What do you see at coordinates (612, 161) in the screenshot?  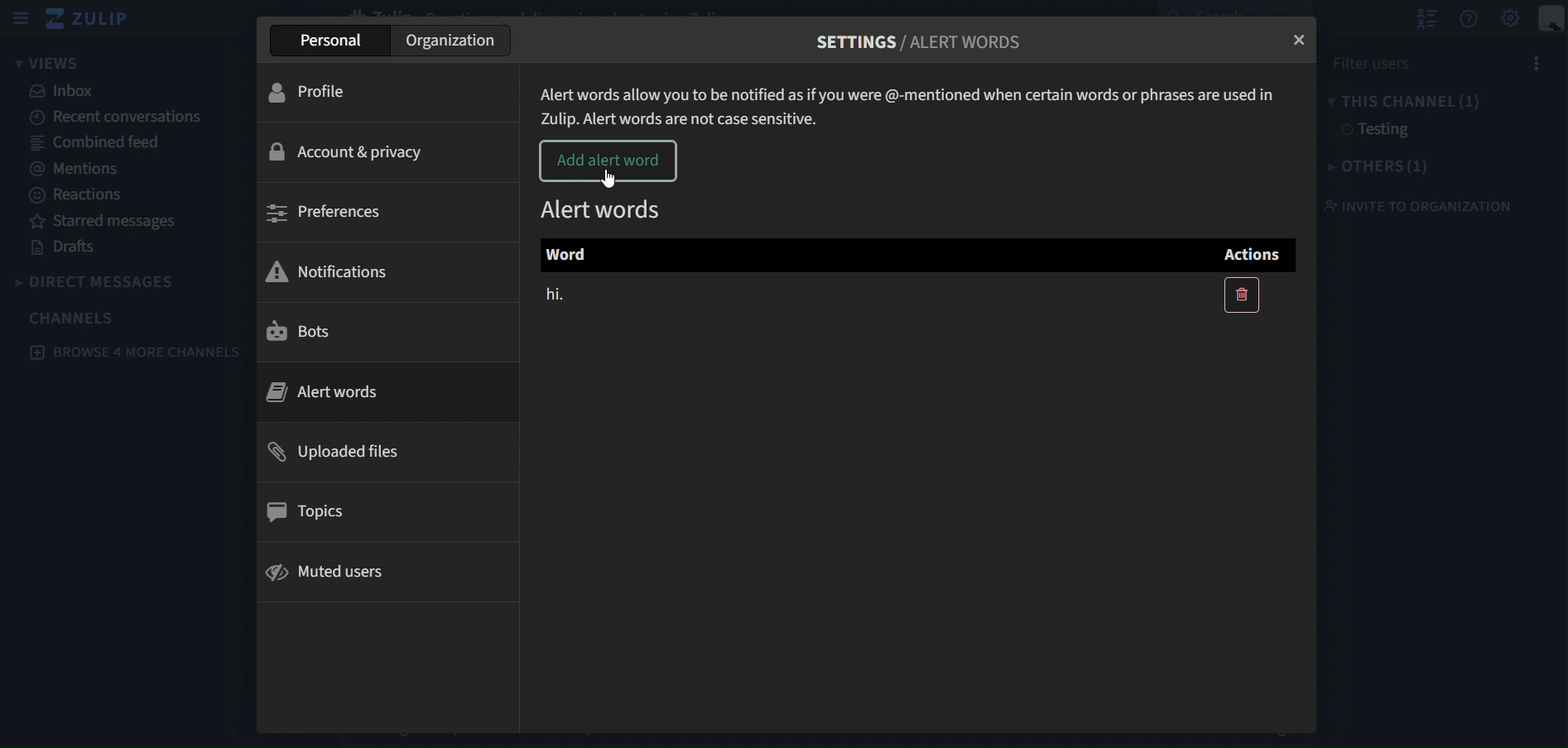 I see `add alert word` at bounding box center [612, 161].